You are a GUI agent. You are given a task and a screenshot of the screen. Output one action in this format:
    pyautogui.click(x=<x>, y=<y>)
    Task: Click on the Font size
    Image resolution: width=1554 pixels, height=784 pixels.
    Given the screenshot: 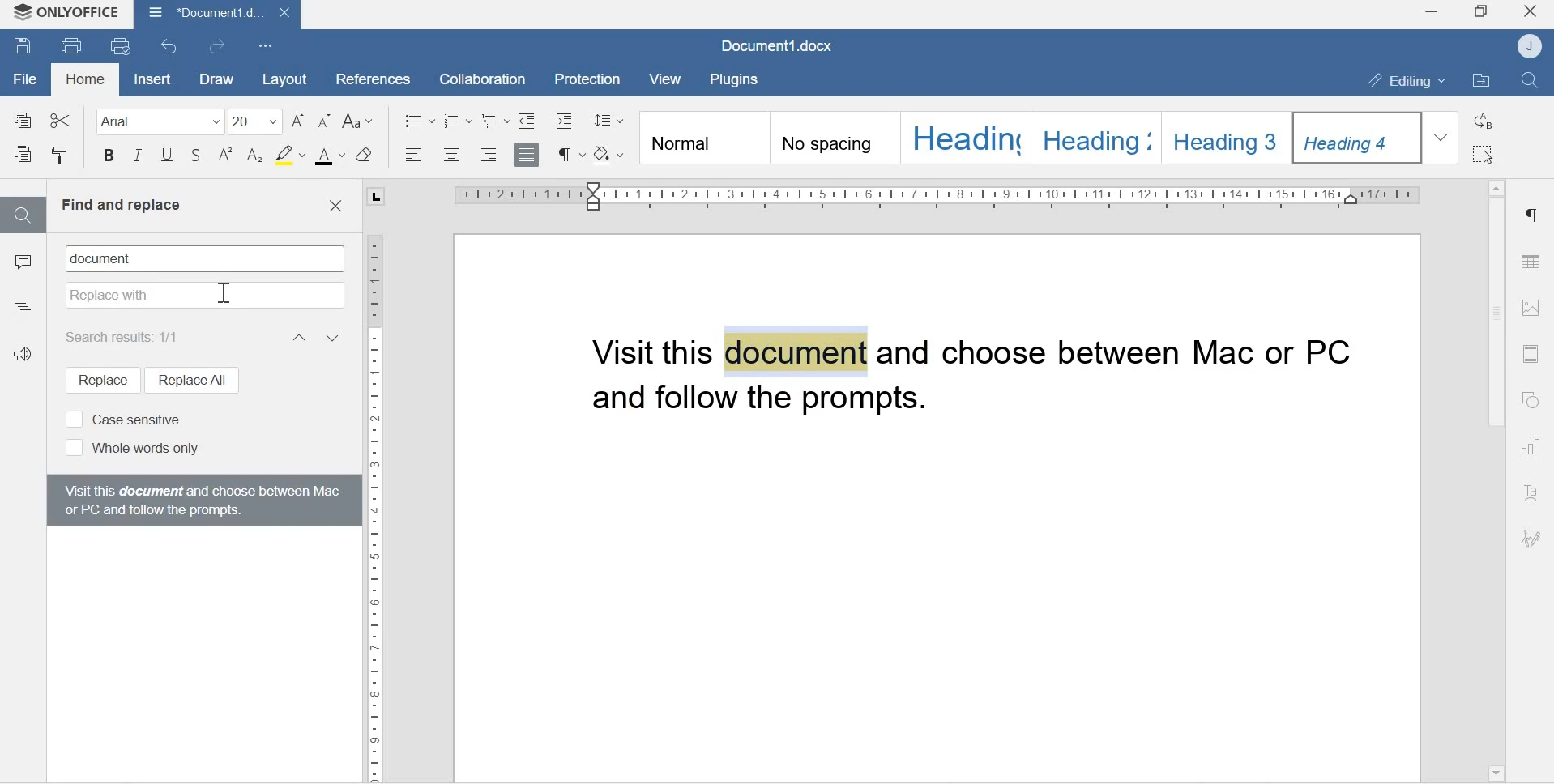 What is the action you would take?
    pyautogui.click(x=257, y=121)
    